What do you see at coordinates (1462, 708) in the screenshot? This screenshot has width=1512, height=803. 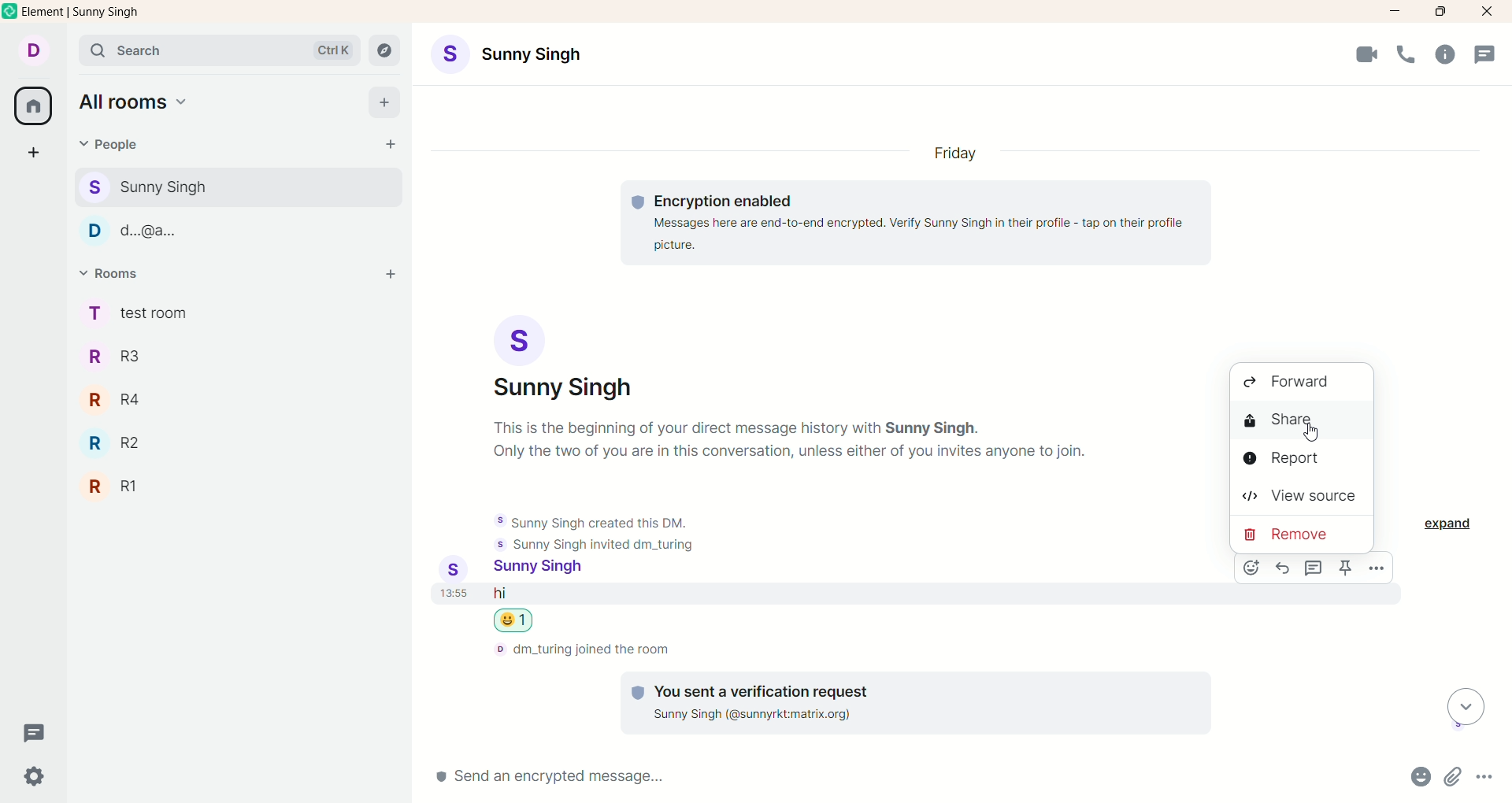 I see `scroll` at bounding box center [1462, 708].